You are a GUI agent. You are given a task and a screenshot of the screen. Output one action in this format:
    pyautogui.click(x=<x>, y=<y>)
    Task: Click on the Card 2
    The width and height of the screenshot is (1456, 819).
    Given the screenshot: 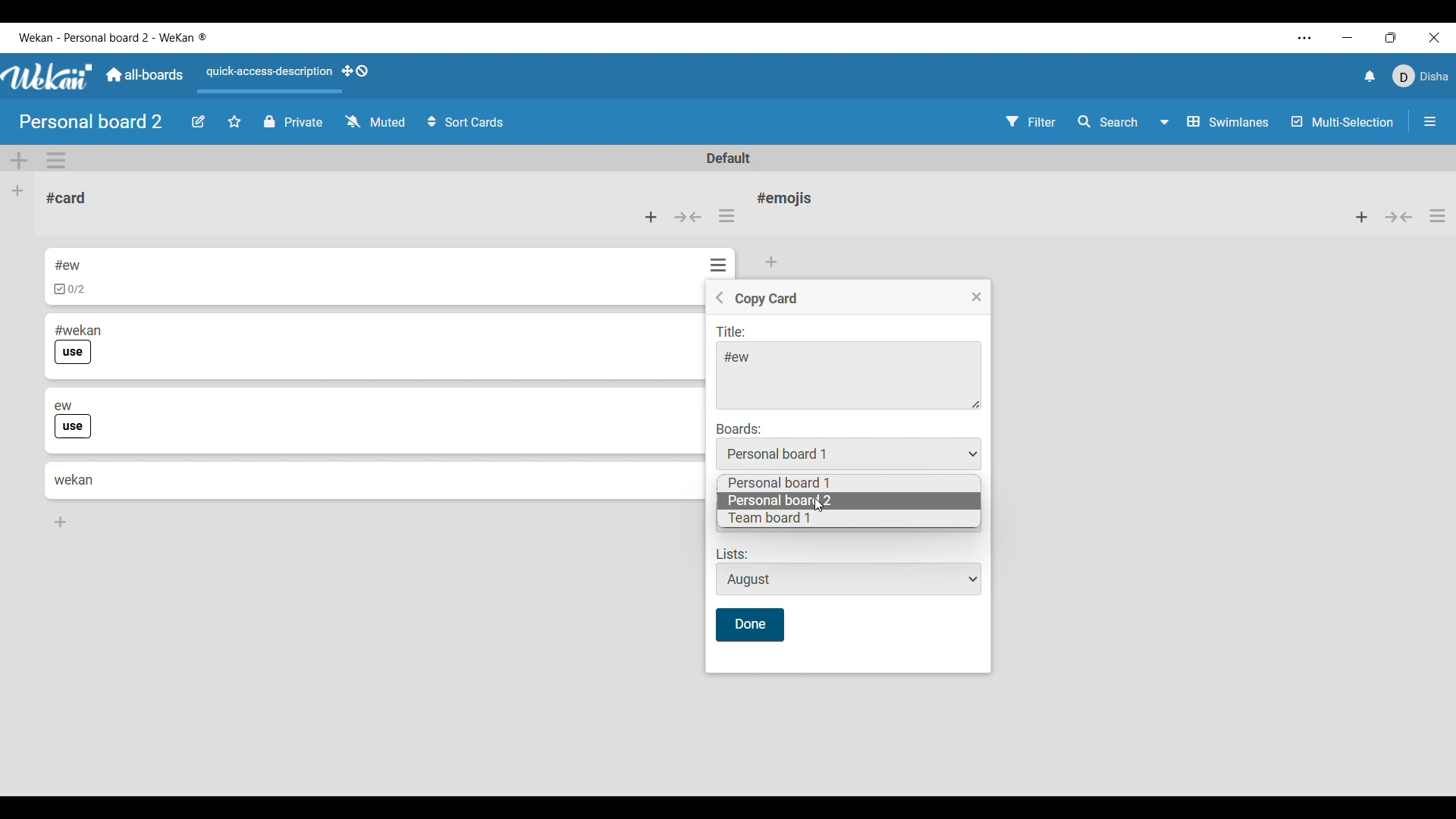 What is the action you would take?
    pyautogui.click(x=127, y=327)
    